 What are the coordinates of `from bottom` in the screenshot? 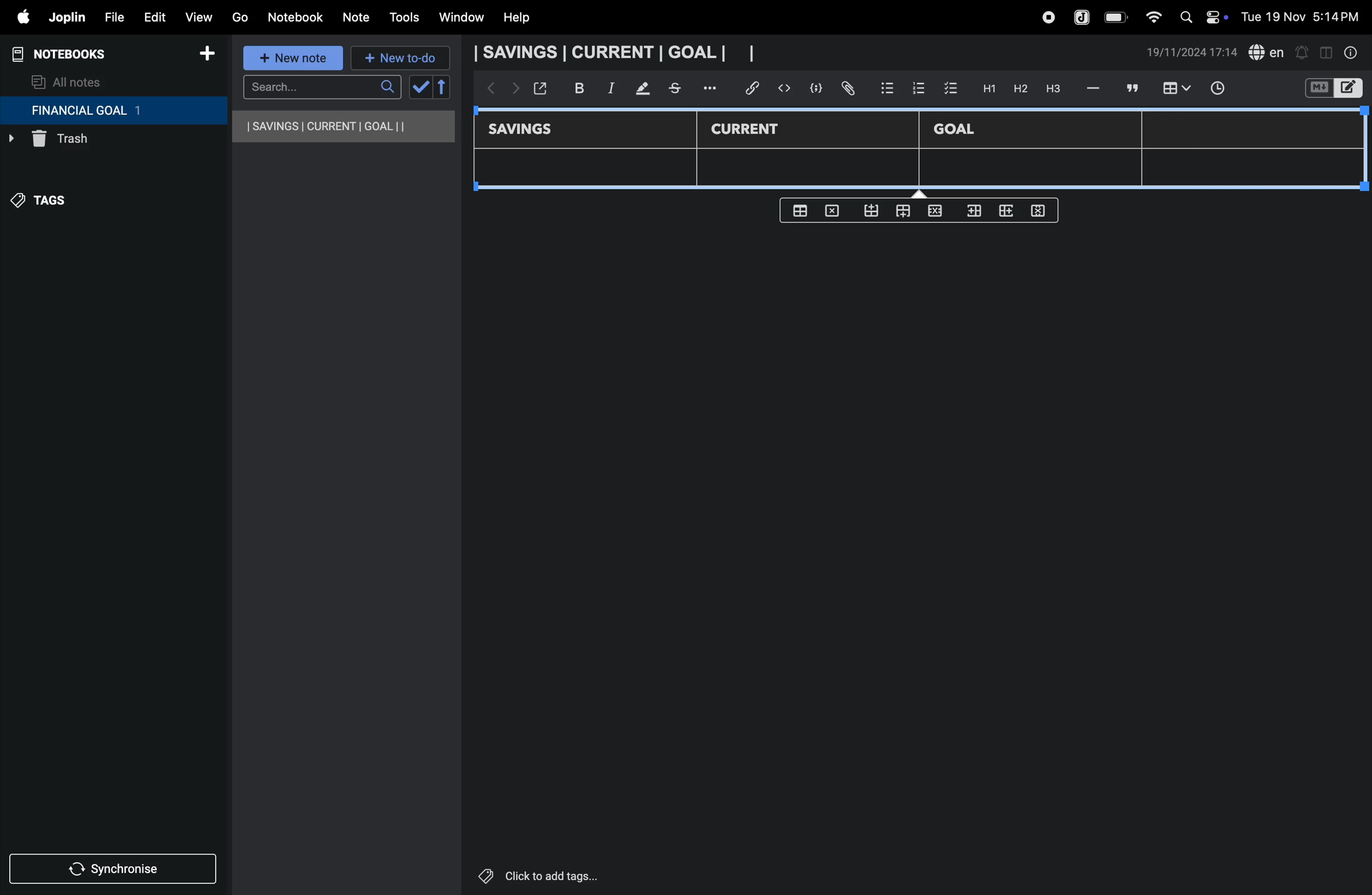 It's located at (872, 211).